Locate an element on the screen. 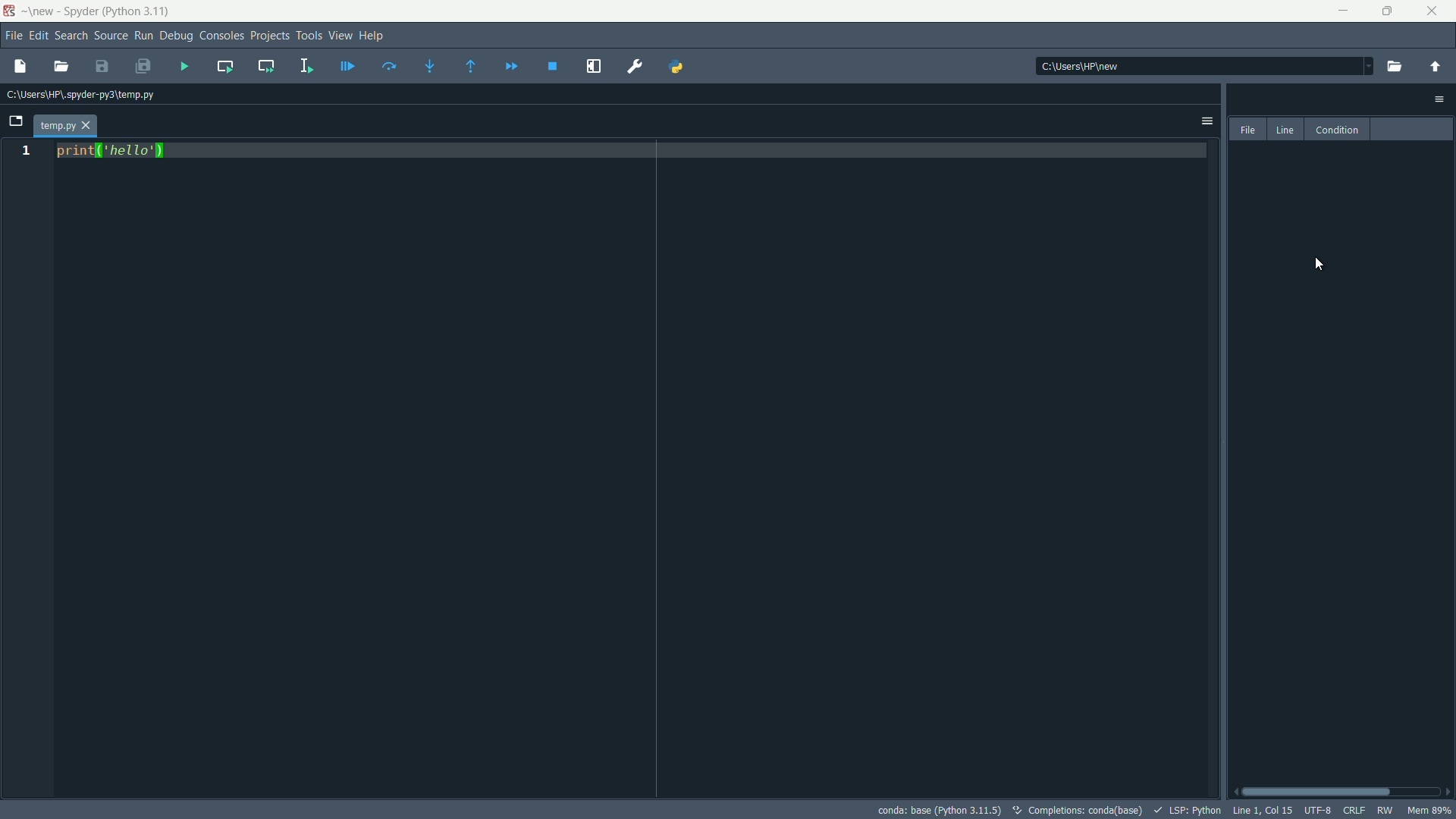  run selection is located at coordinates (307, 65).